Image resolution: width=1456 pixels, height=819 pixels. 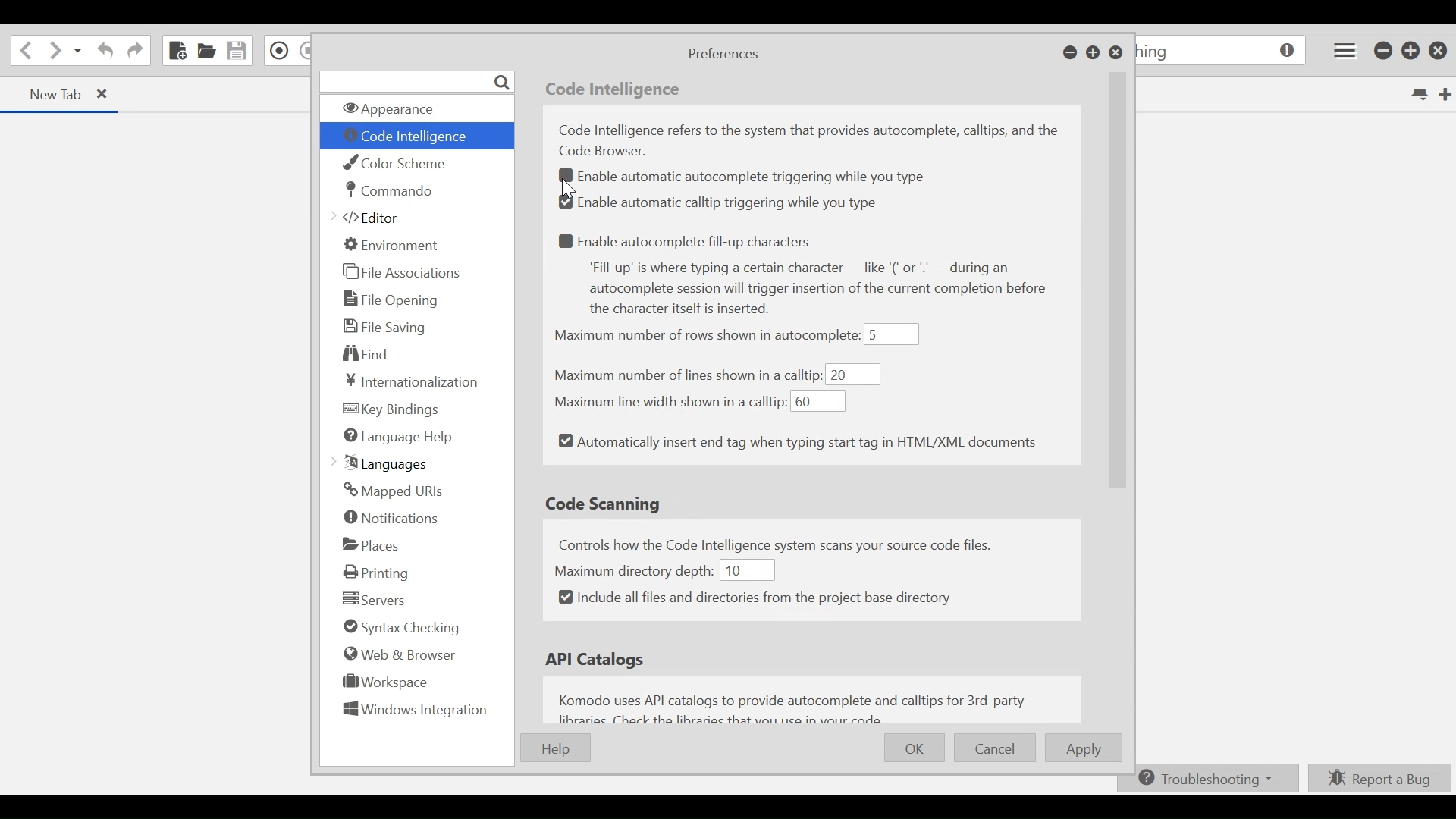 I want to click on Notifications, so click(x=393, y=519).